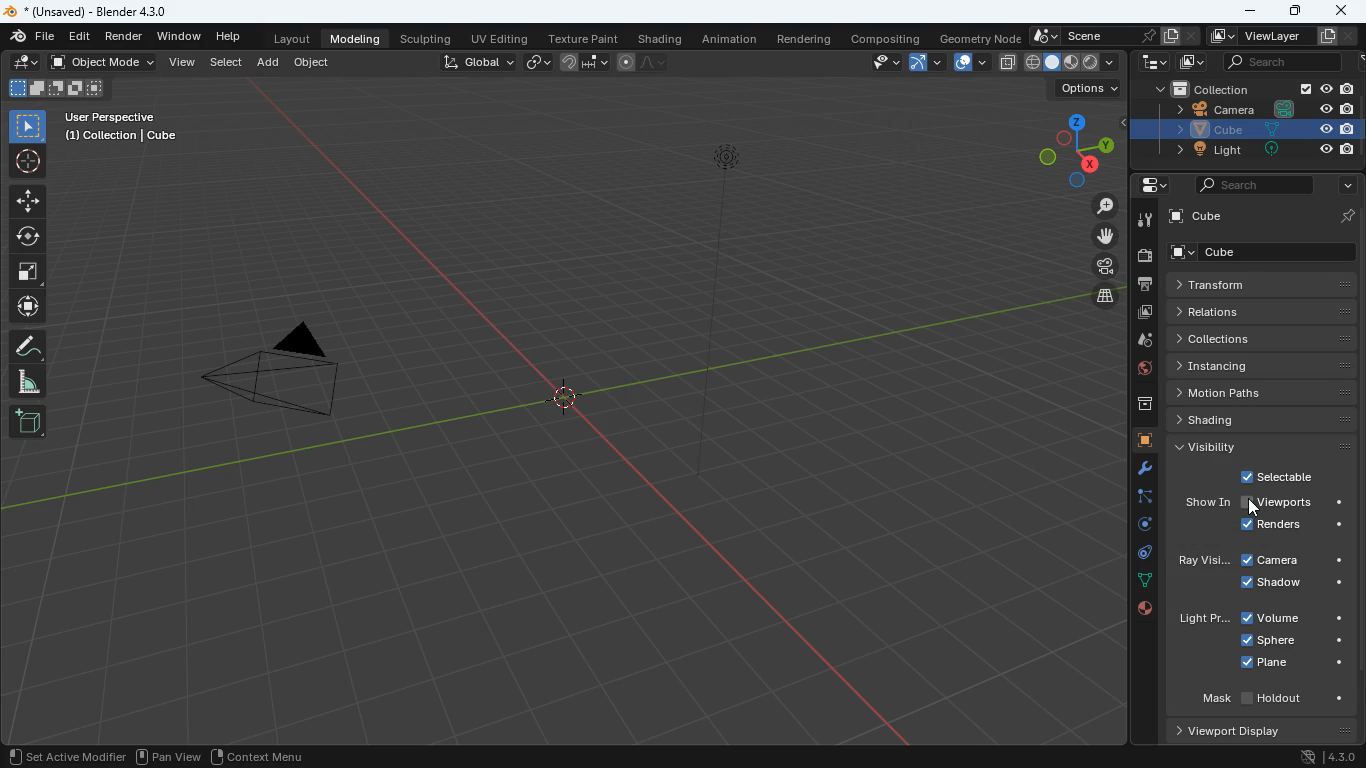 The width and height of the screenshot is (1366, 768). I want to click on select, so click(27, 126).